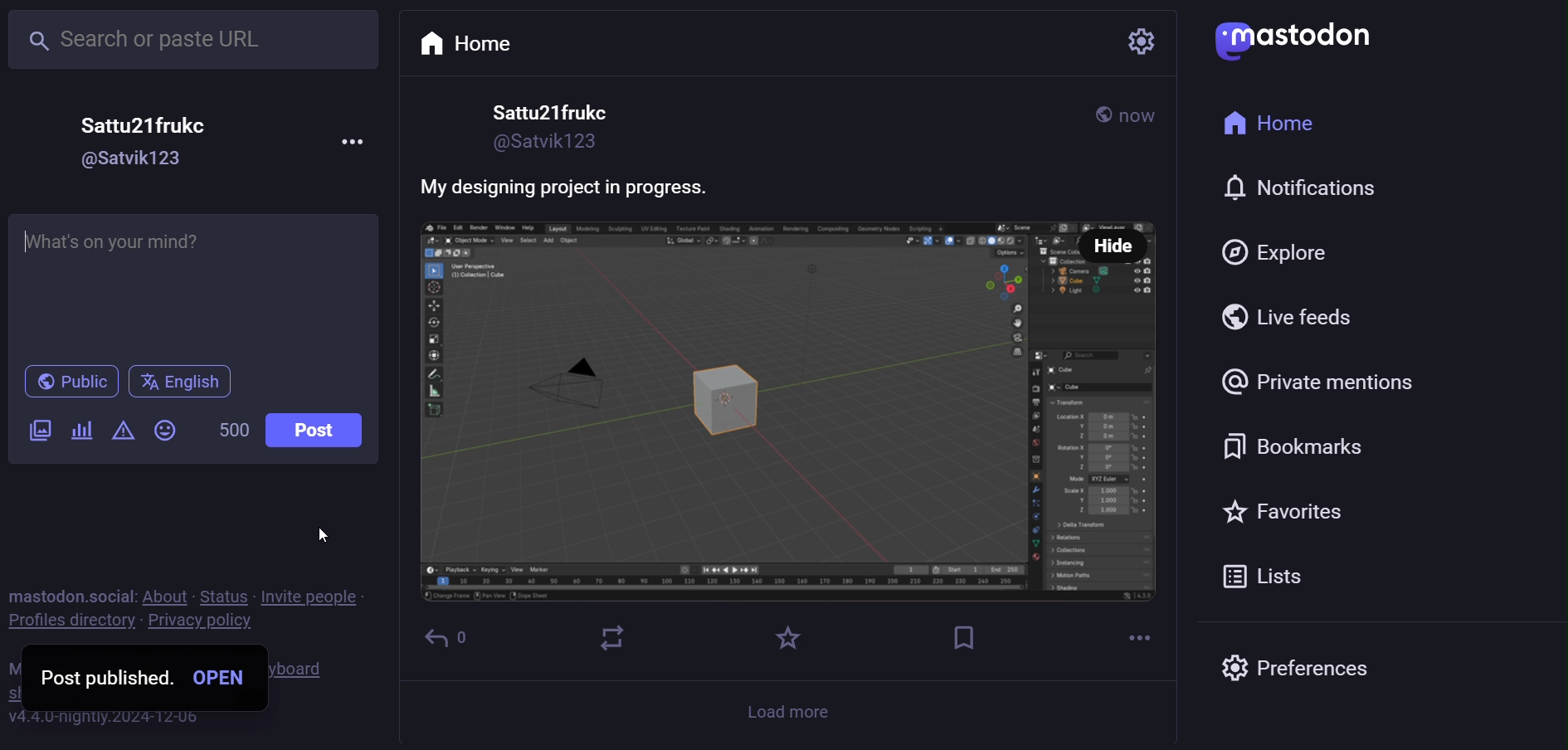 The height and width of the screenshot is (750, 1568). I want to click on mastodon, so click(1299, 35).